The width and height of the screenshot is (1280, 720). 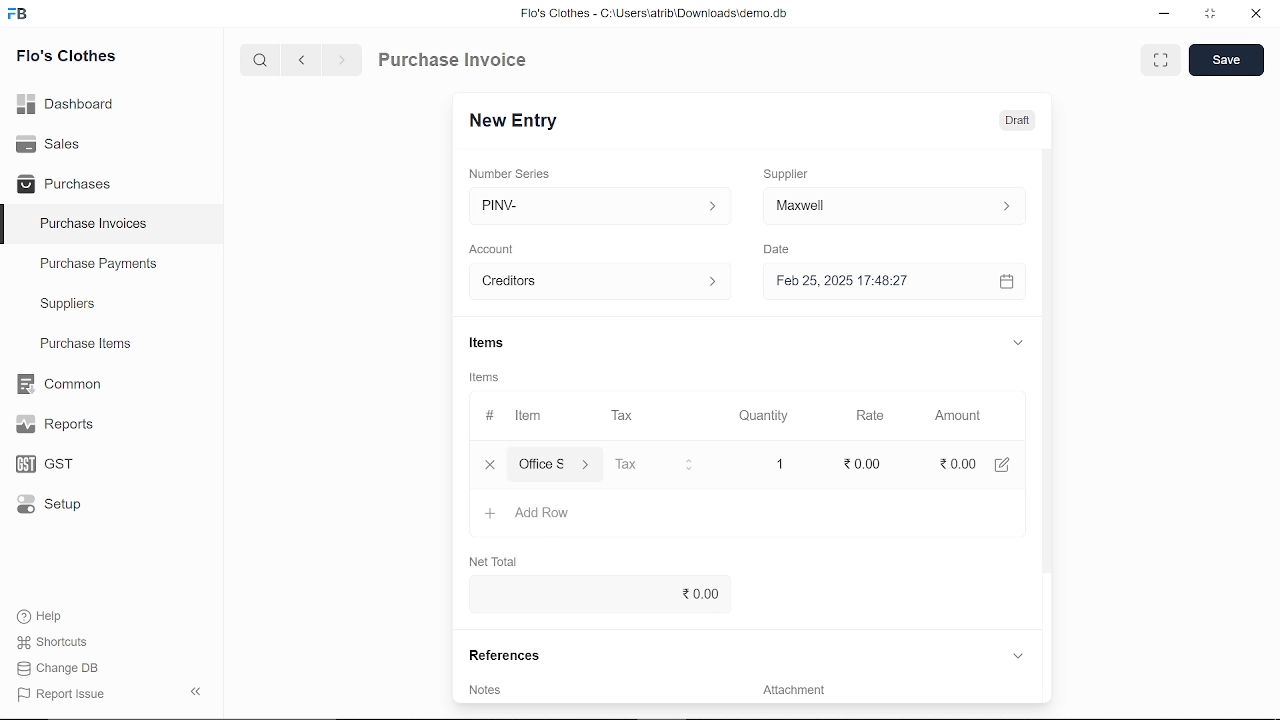 I want to click on Change DB, so click(x=58, y=670).